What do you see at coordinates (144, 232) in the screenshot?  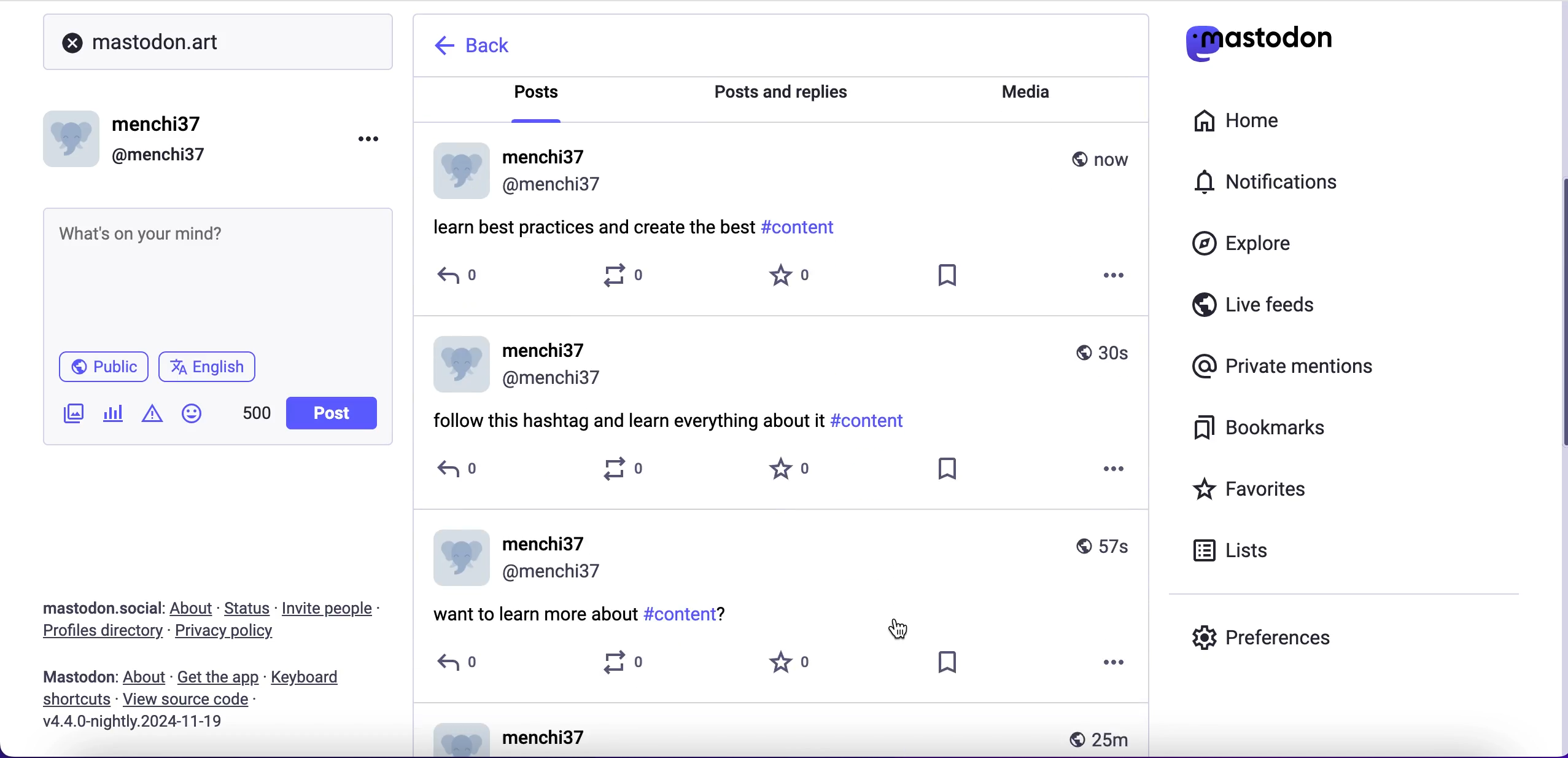 I see `text post` at bounding box center [144, 232].